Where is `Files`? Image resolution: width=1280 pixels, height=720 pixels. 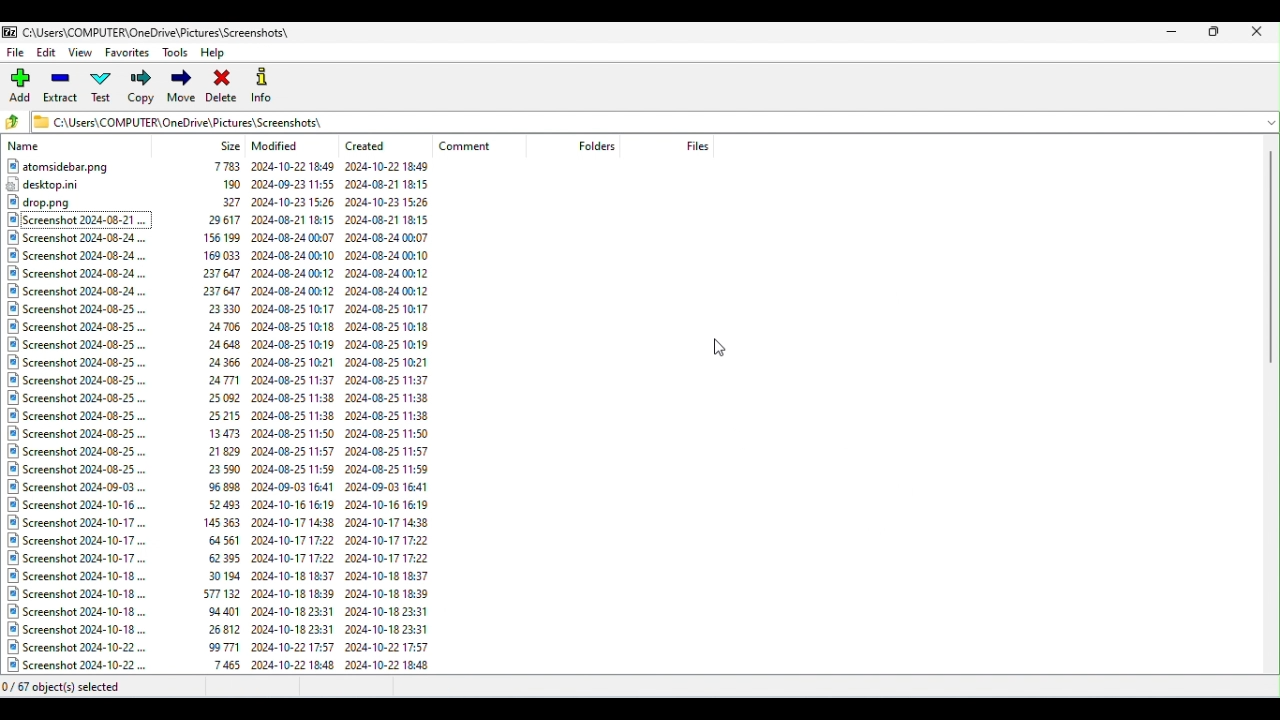 Files is located at coordinates (697, 145).